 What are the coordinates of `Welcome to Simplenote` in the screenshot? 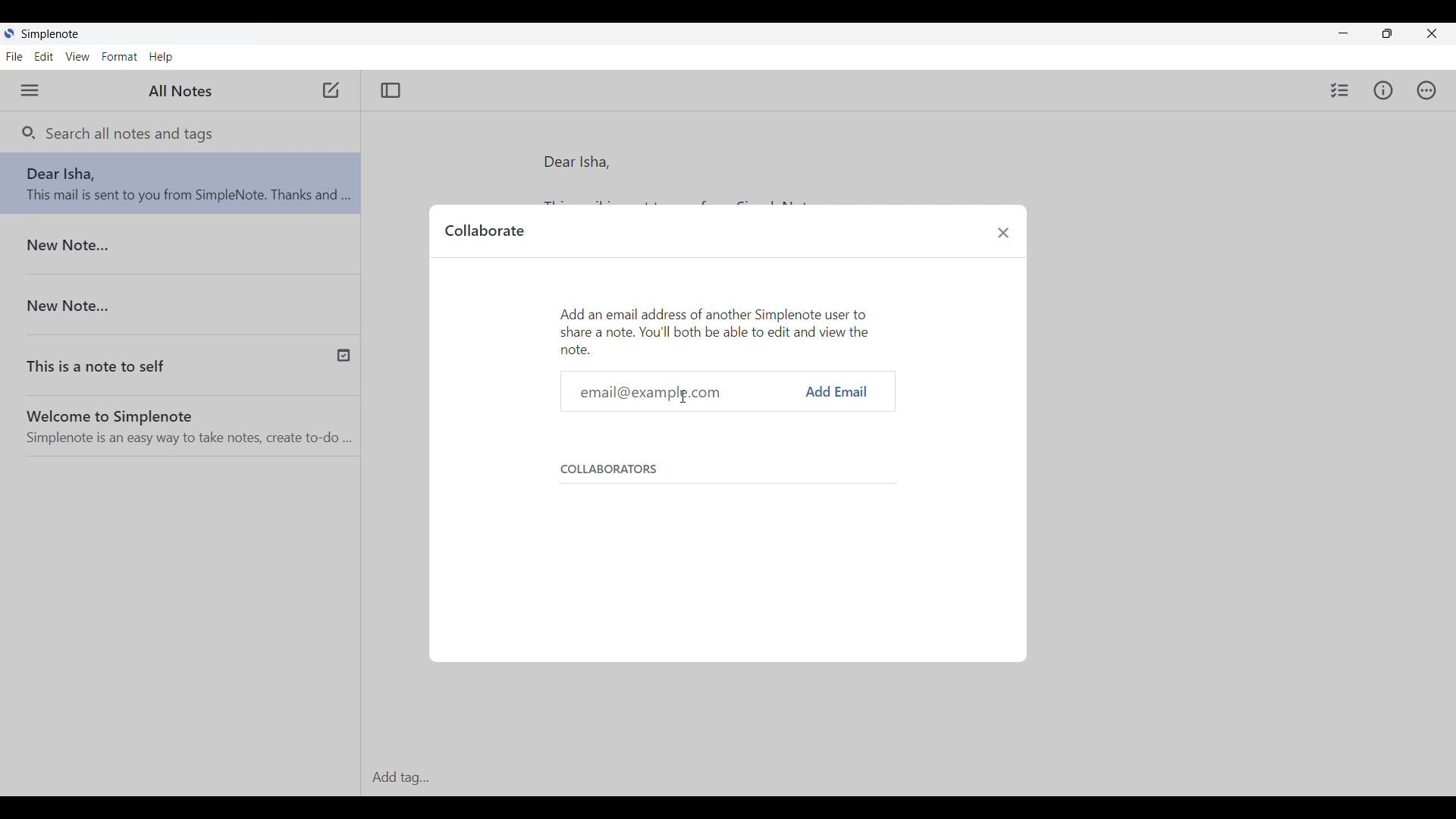 It's located at (186, 422).